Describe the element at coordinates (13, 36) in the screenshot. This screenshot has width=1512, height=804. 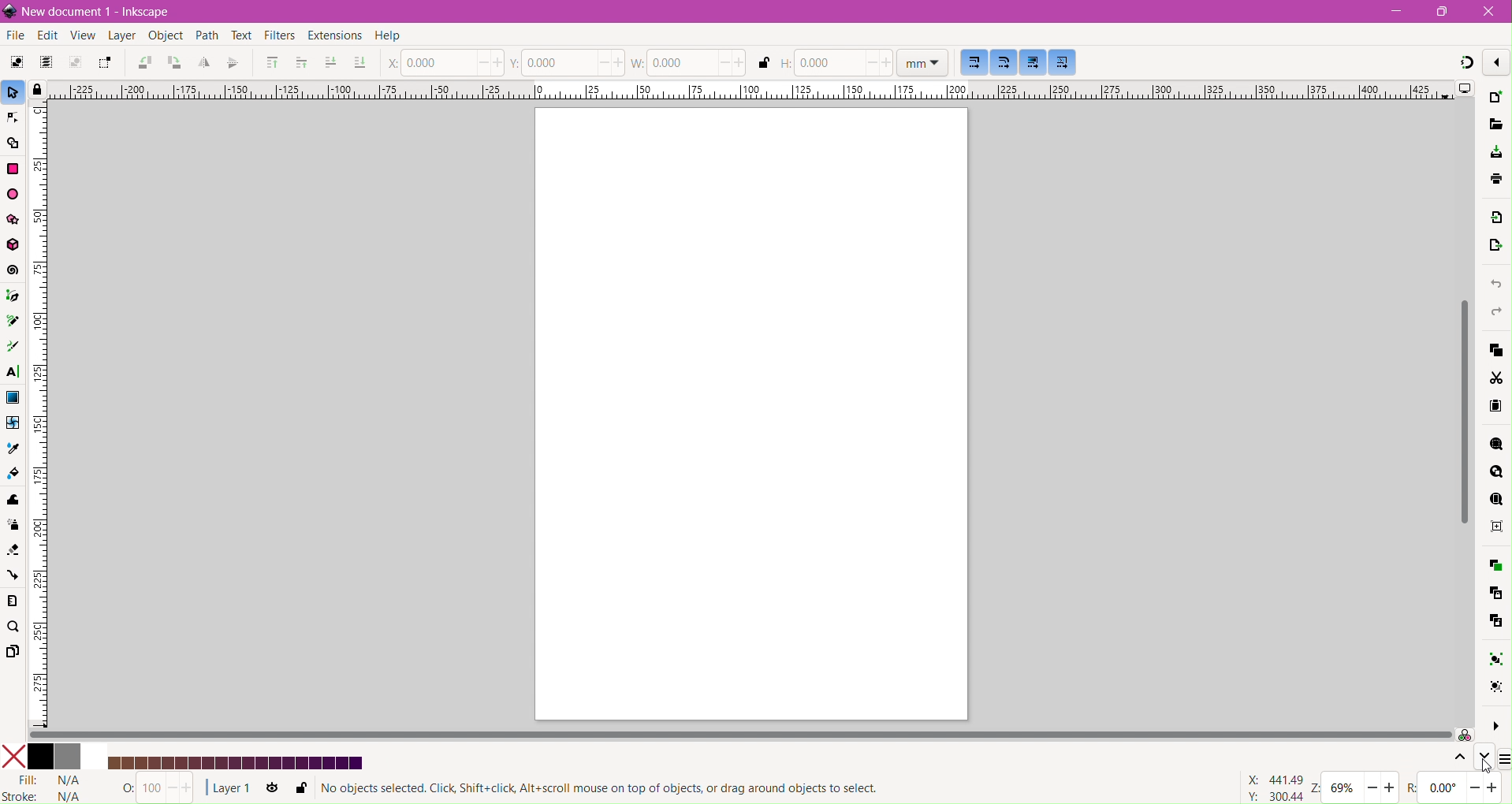
I see `File` at that location.